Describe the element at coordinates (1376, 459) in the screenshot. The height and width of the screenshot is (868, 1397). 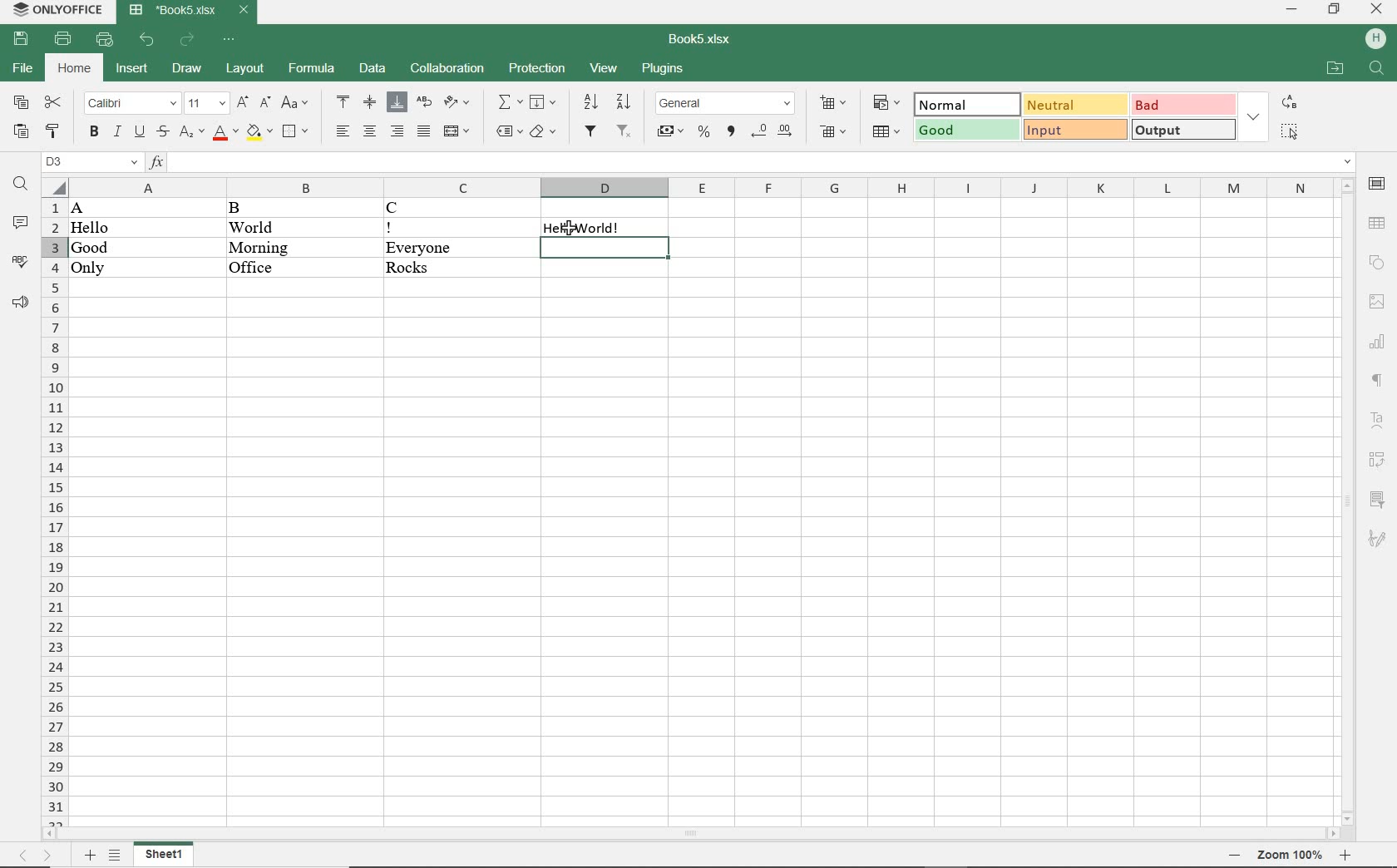
I see `PIVOT TABLE` at that location.